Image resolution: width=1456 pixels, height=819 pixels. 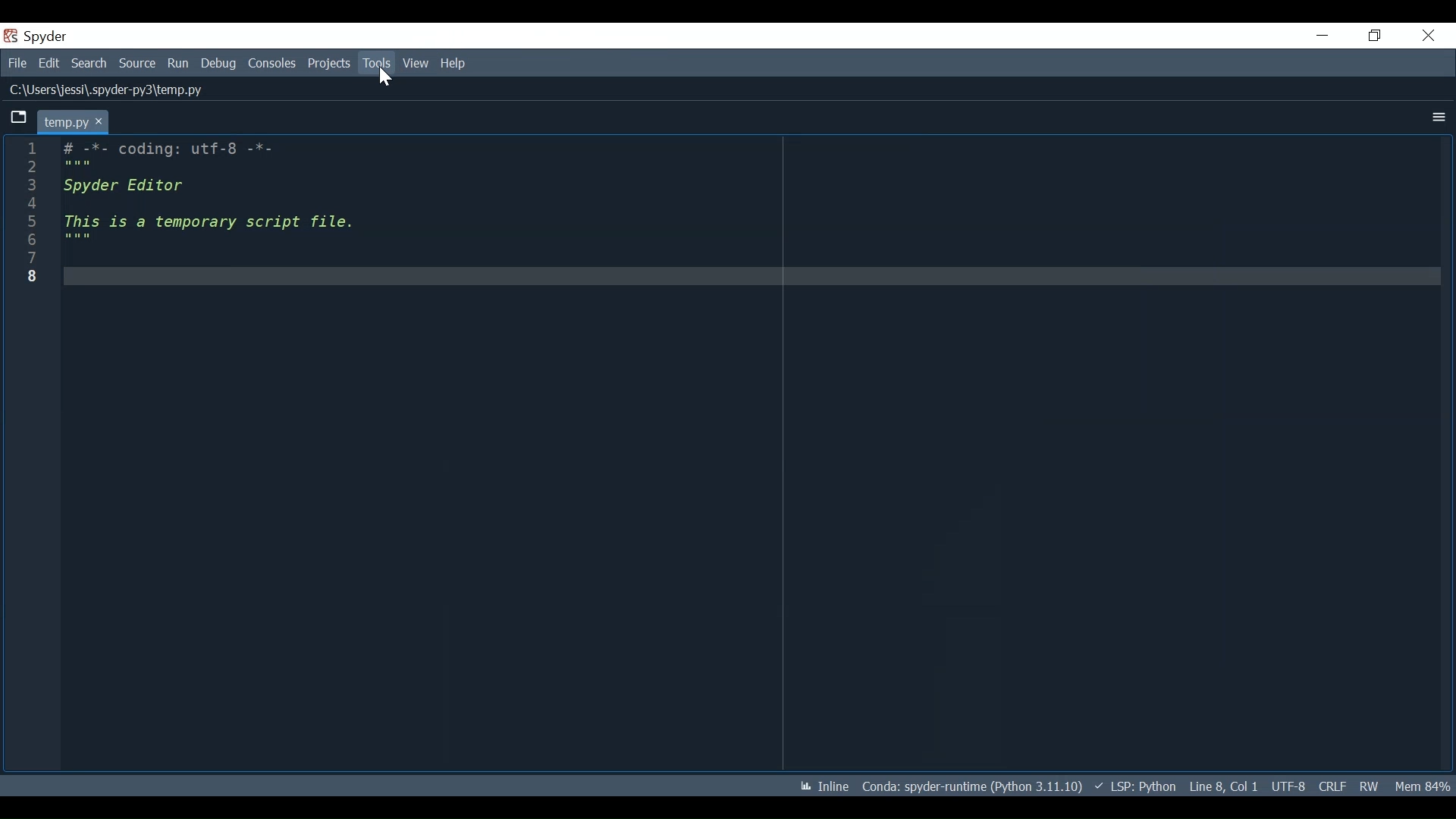 What do you see at coordinates (1369, 786) in the screenshot?
I see `File Permission` at bounding box center [1369, 786].